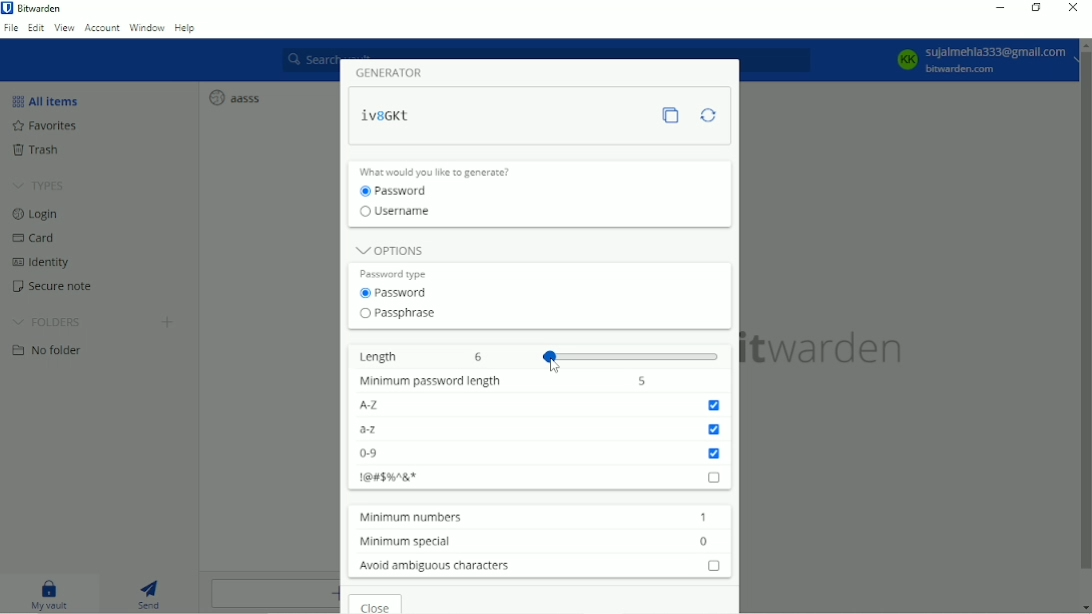  Describe the element at coordinates (541, 476) in the screenshot. I see `Special characters` at that location.